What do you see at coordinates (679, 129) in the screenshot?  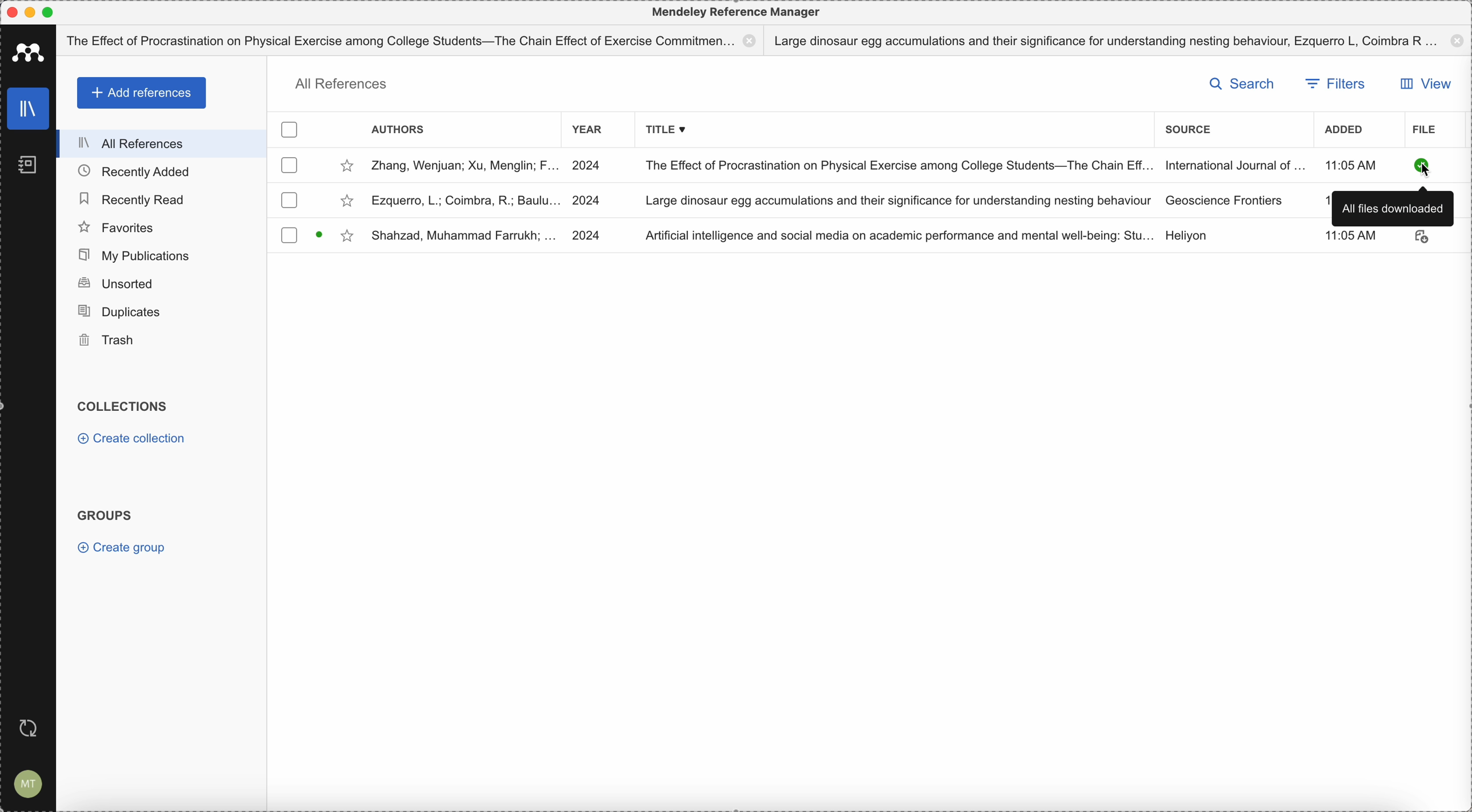 I see `title` at bounding box center [679, 129].